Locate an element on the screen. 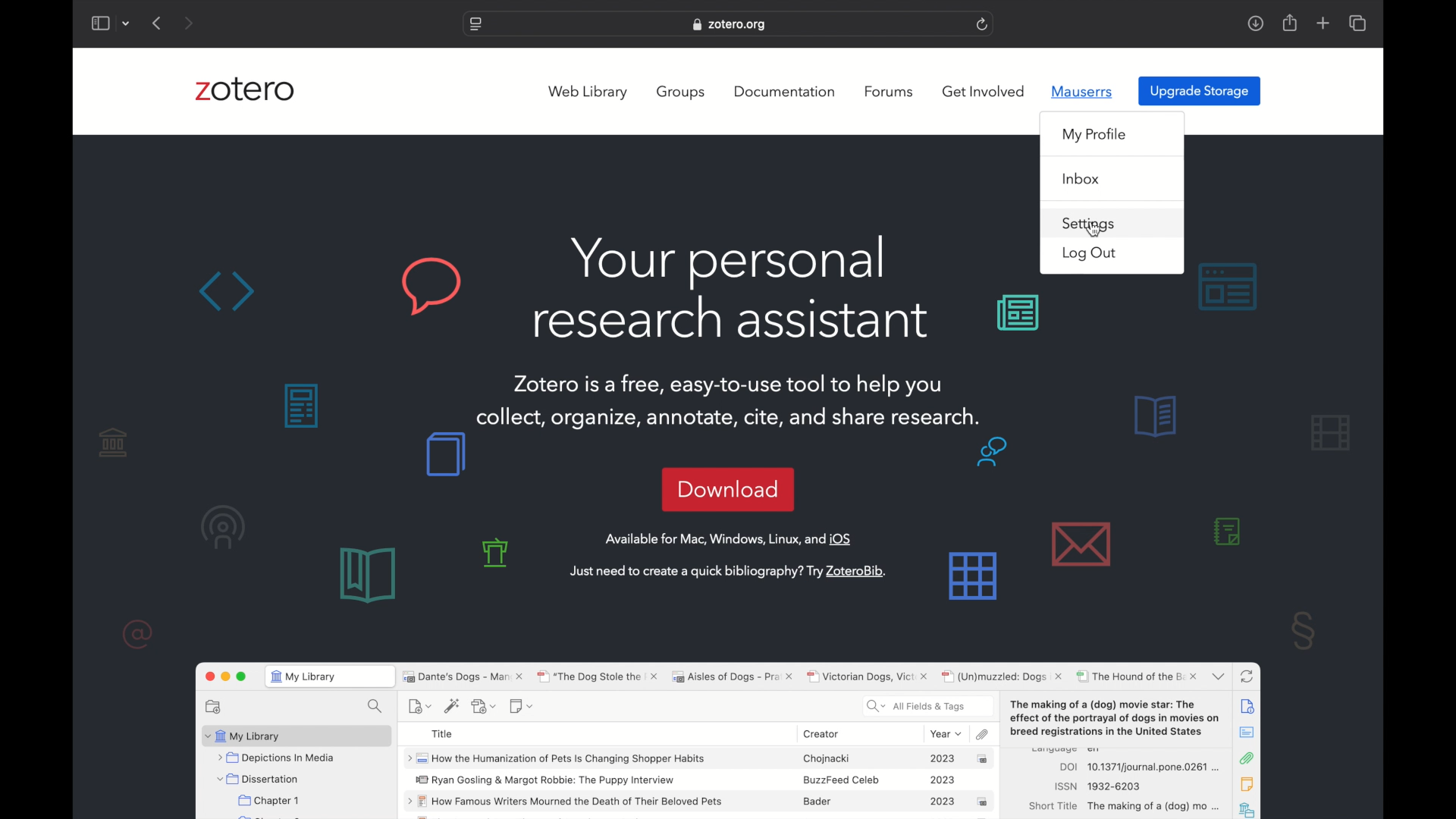  settings is located at coordinates (1091, 224).